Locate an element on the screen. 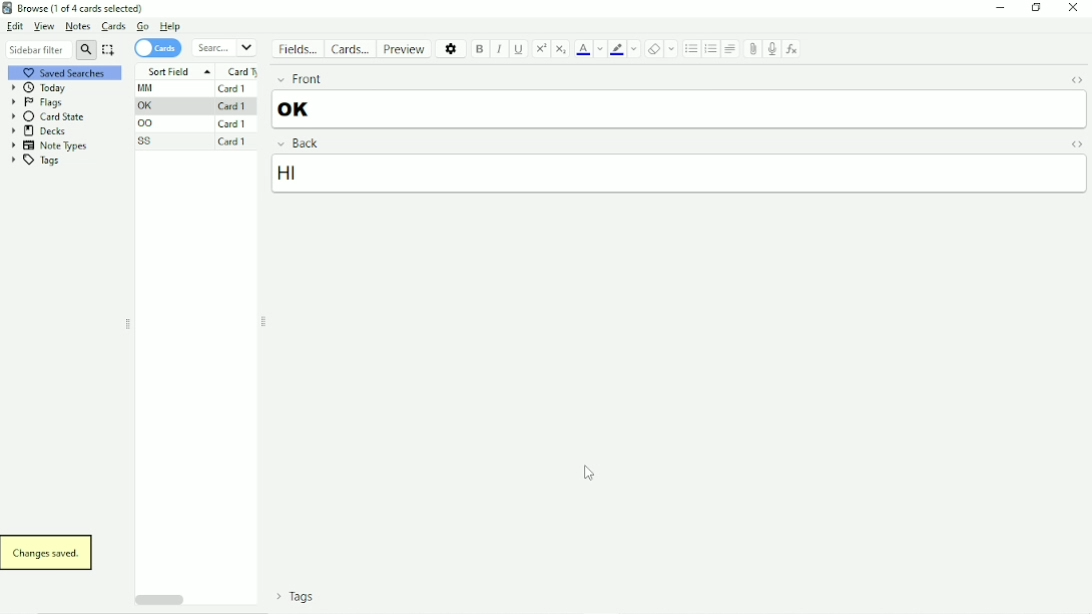 The width and height of the screenshot is (1092, 614). Text highlight color is located at coordinates (617, 50).